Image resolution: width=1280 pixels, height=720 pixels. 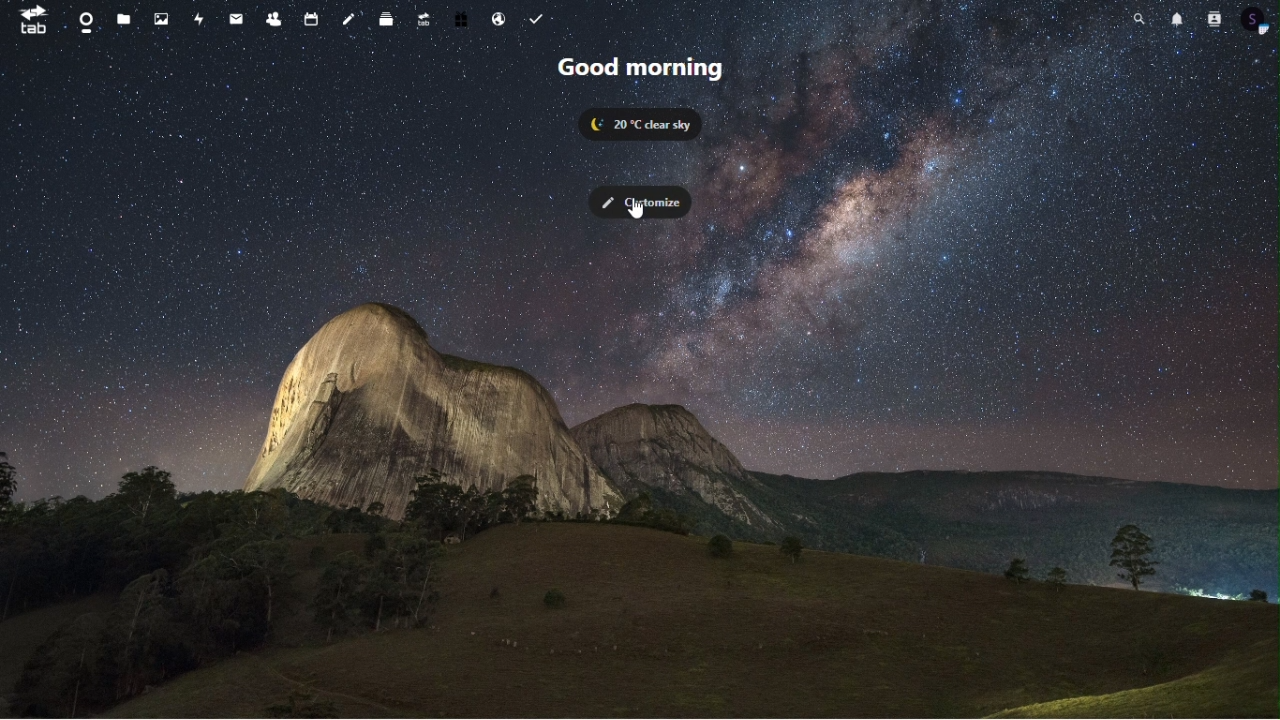 What do you see at coordinates (1213, 17) in the screenshot?
I see `contacts` at bounding box center [1213, 17].